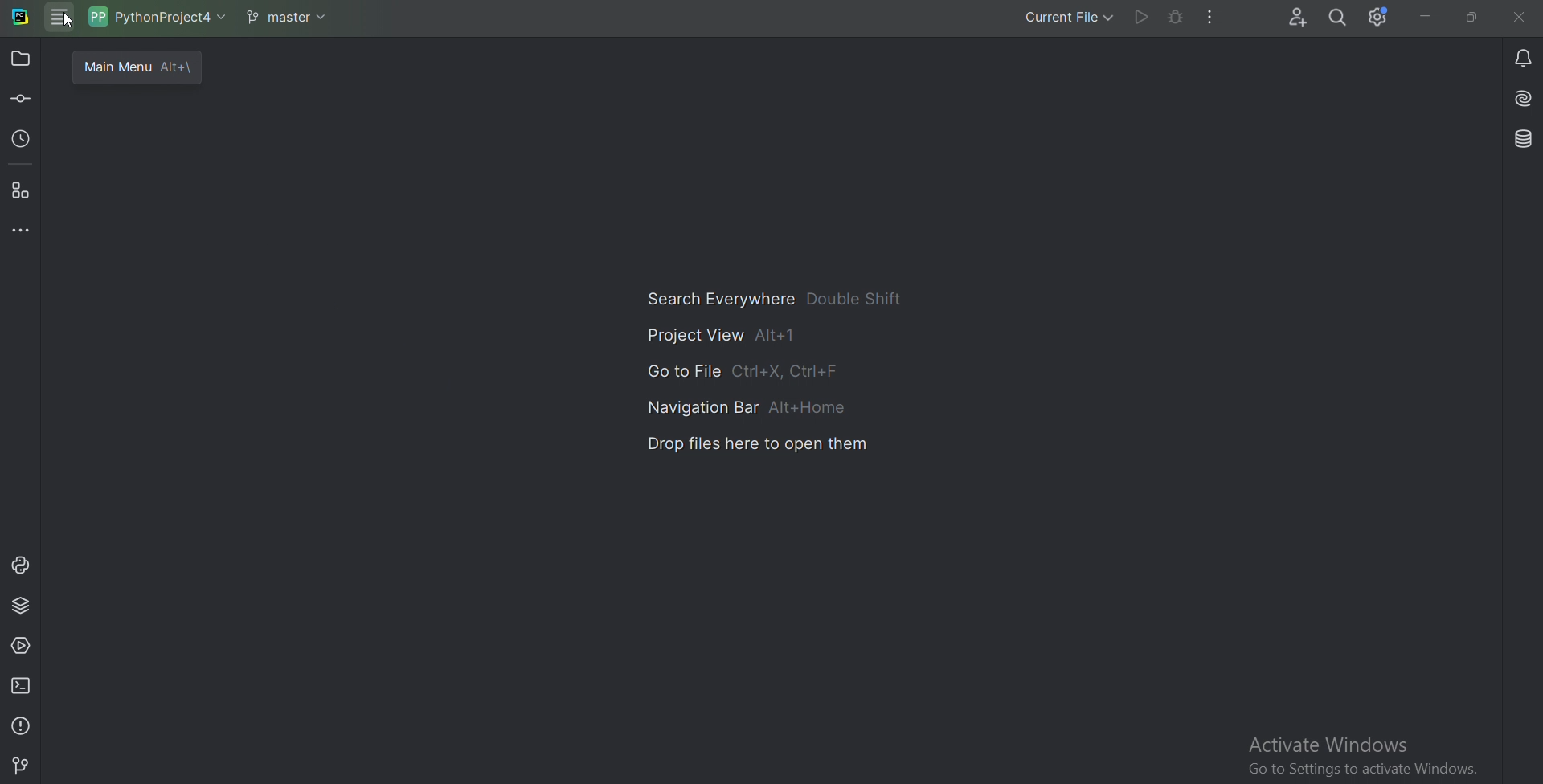 The height and width of the screenshot is (784, 1543). Describe the element at coordinates (288, 17) in the screenshot. I see `Git branch master` at that location.